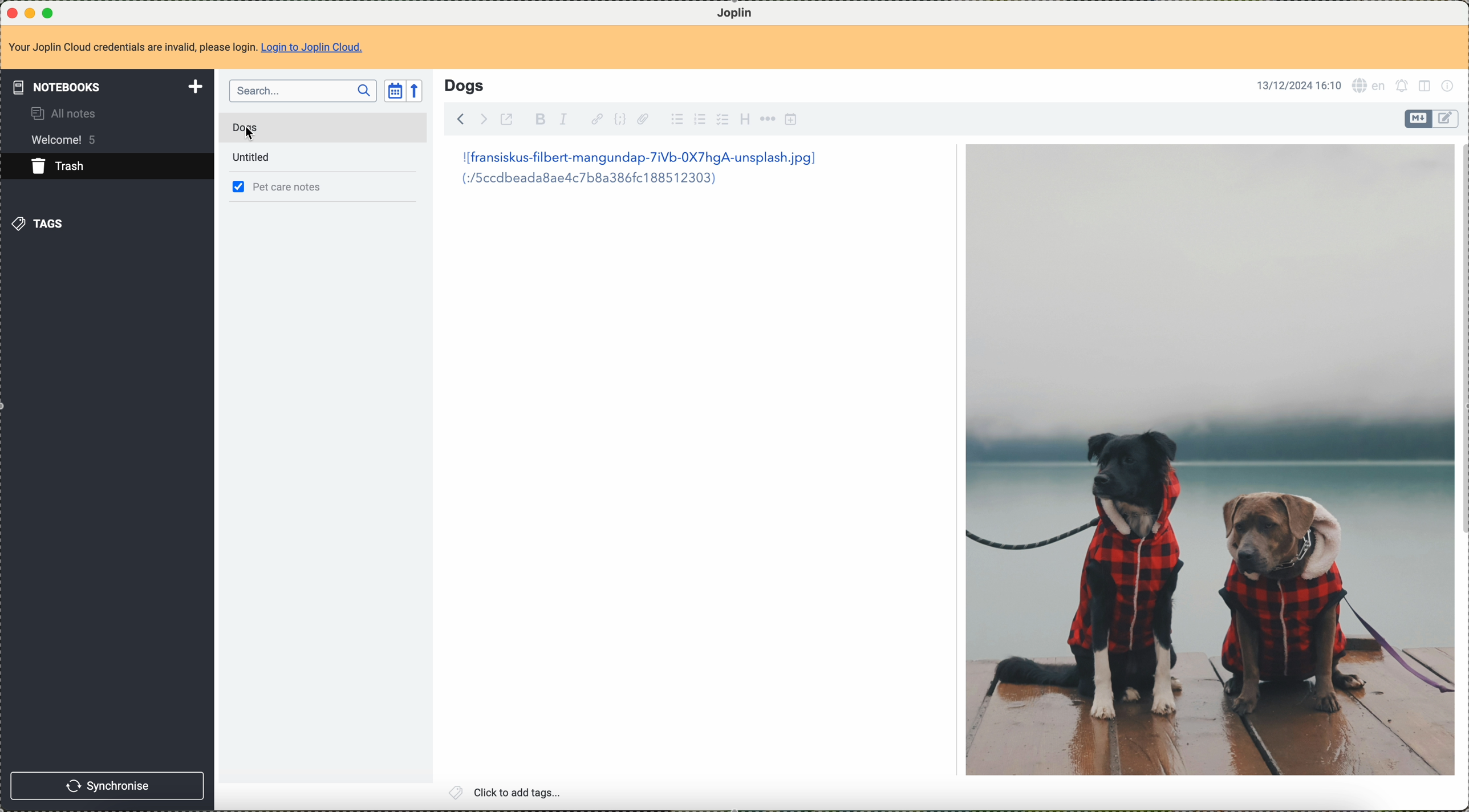 This screenshot has height=812, width=1469. What do you see at coordinates (48, 11) in the screenshot?
I see `maximize` at bounding box center [48, 11].